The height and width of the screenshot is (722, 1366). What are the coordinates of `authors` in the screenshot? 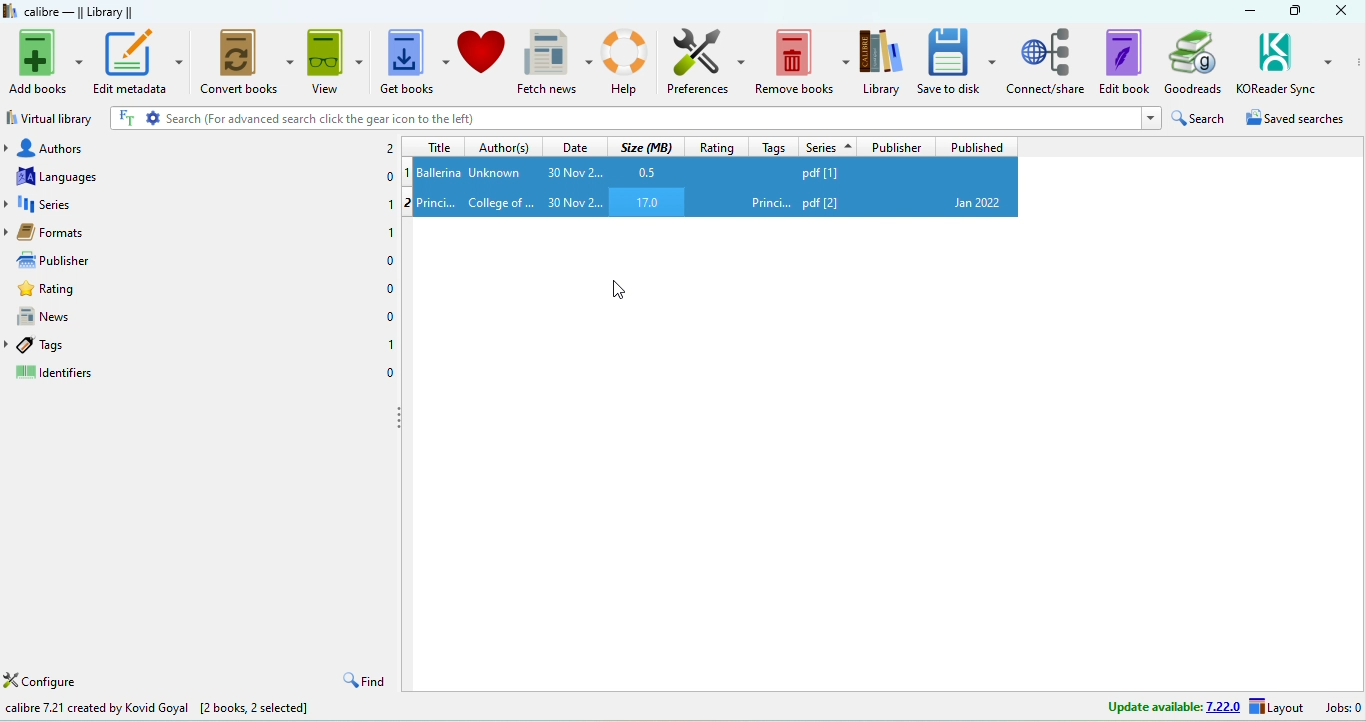 It's located at (506, 147).